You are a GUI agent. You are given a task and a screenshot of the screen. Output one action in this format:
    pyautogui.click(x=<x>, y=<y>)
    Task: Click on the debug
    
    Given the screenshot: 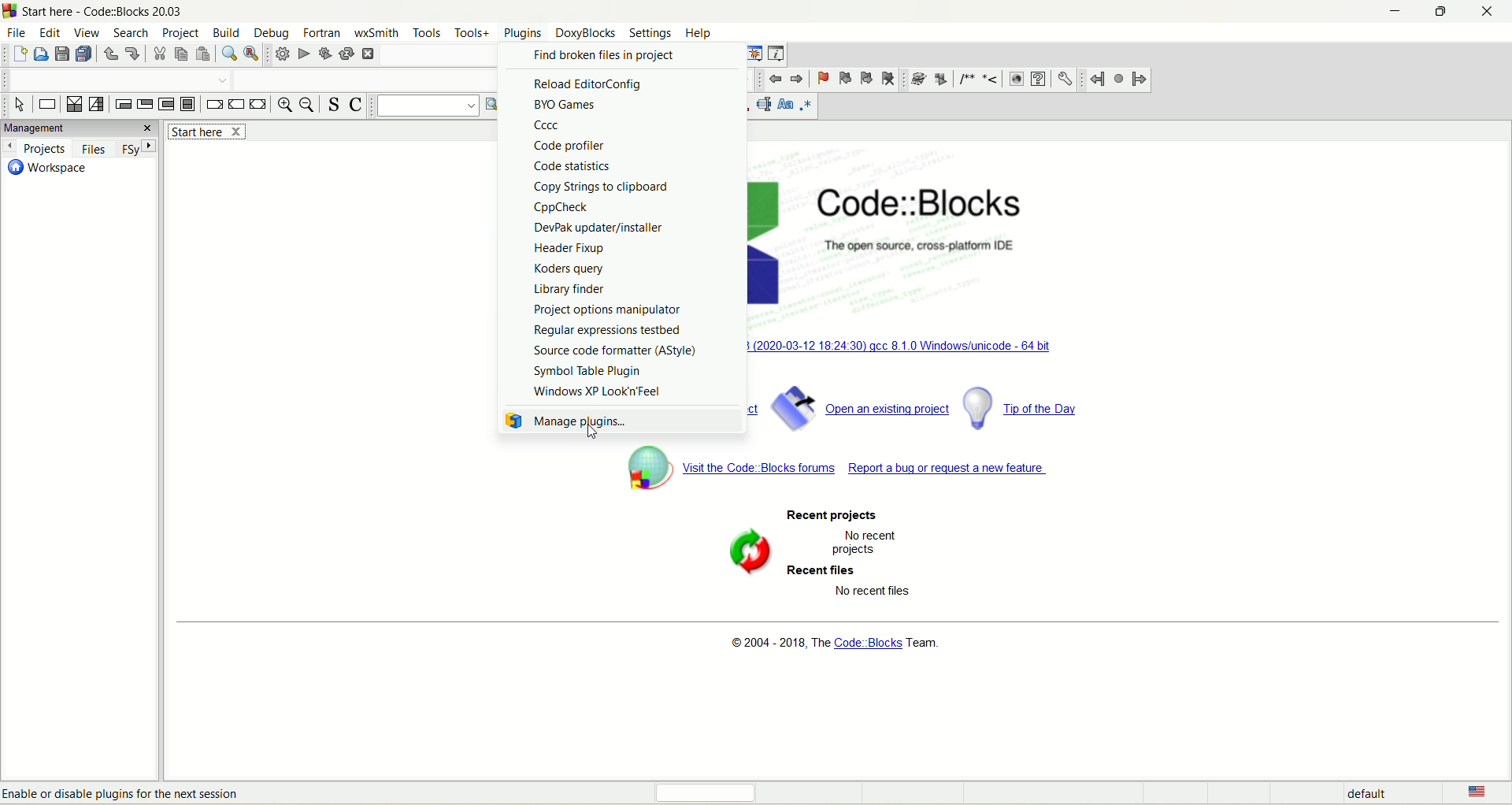 What is the action you would take?
    pyautogui.click(x=272, y=32)
    